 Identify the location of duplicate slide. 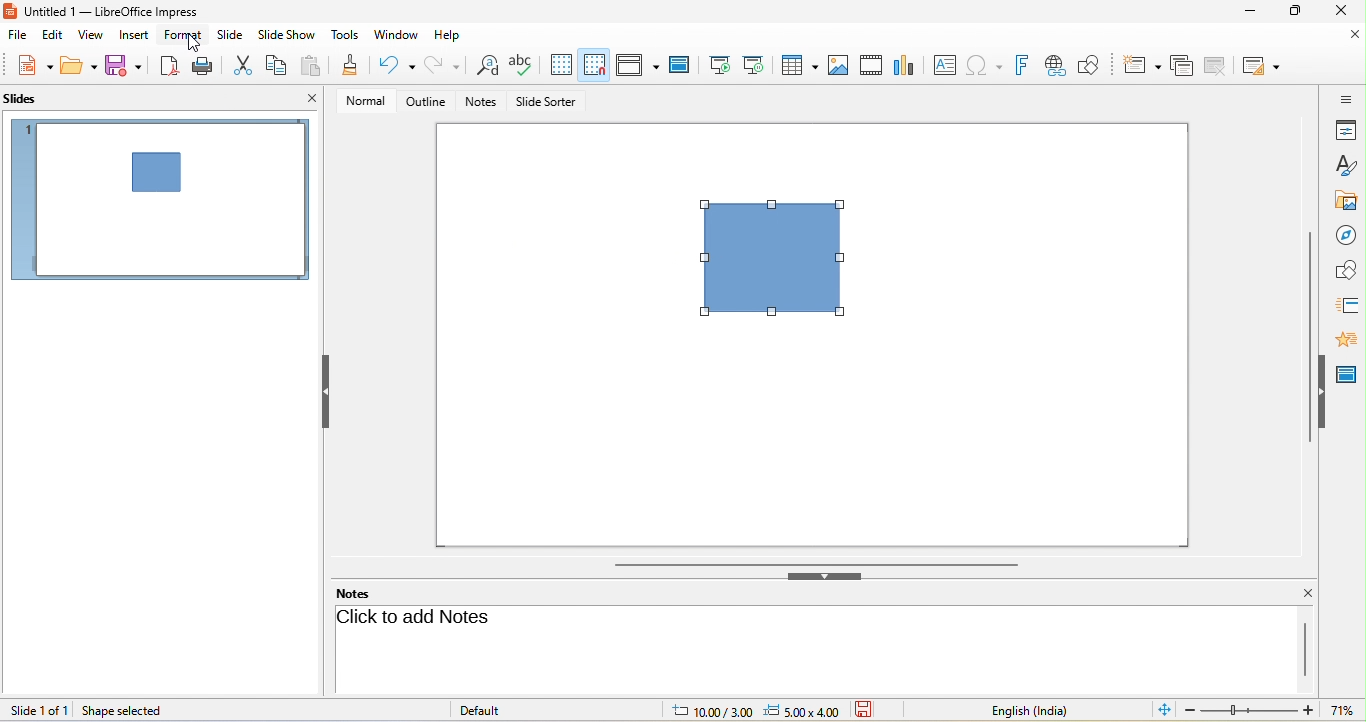
(1180, 67).